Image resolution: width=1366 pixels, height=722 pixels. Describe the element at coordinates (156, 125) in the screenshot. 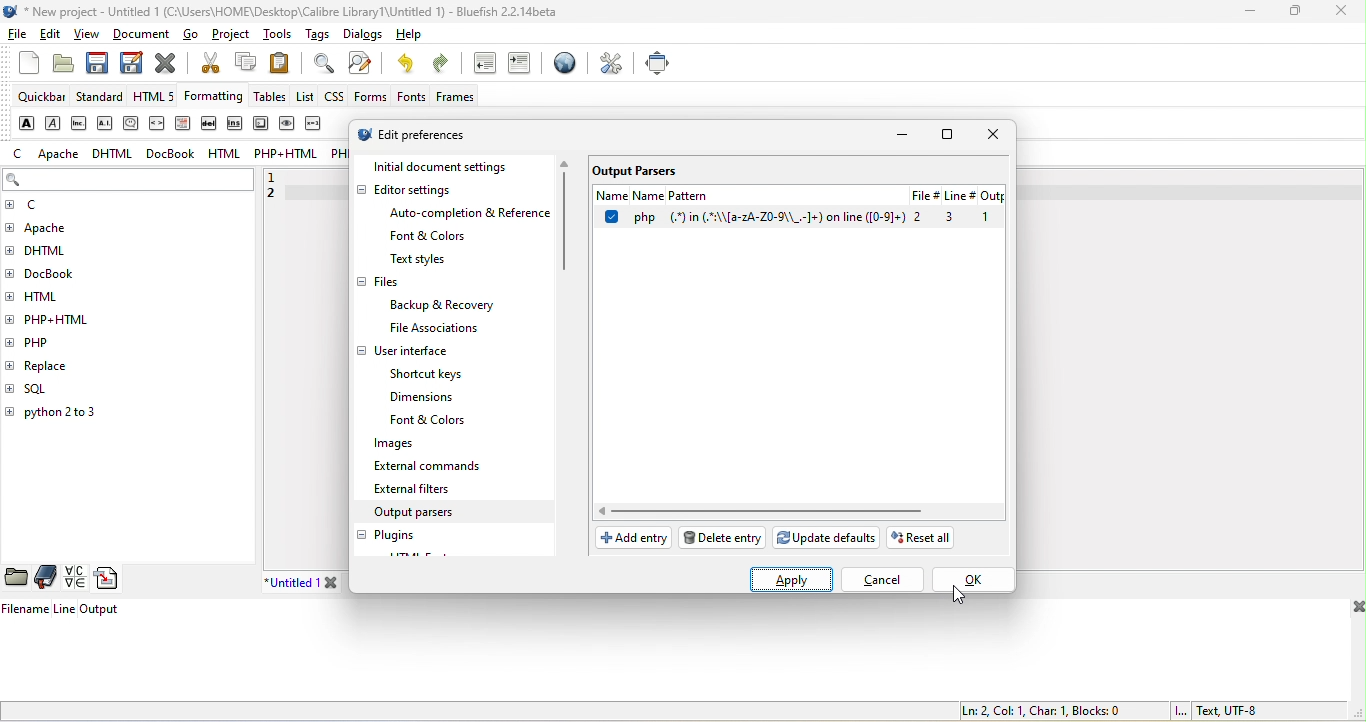

I see `code` at that location.